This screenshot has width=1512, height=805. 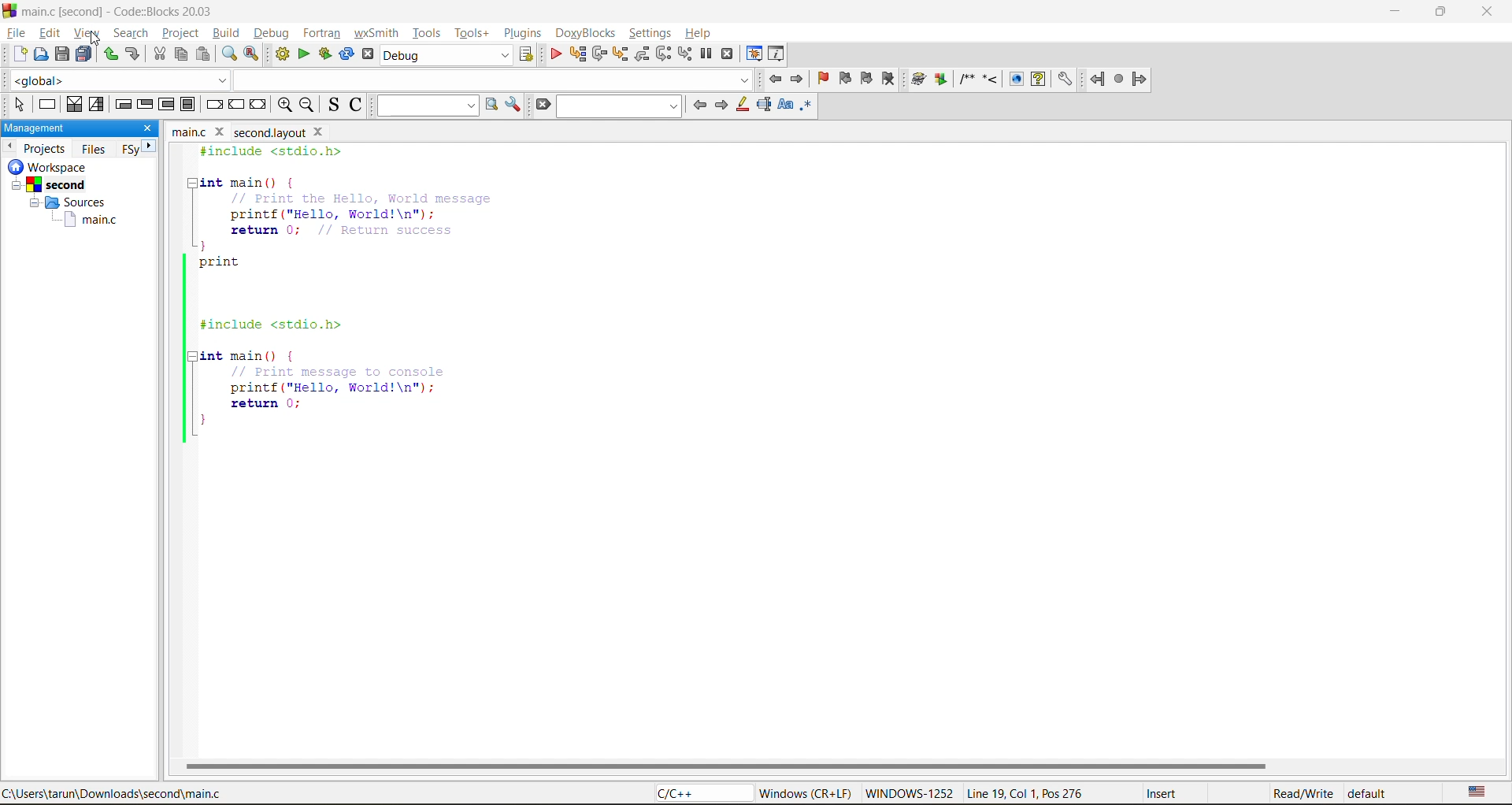 What do you see at coordinates (117, 793) in the screenshot?
I see `file location` at bounding box center [117, 793].